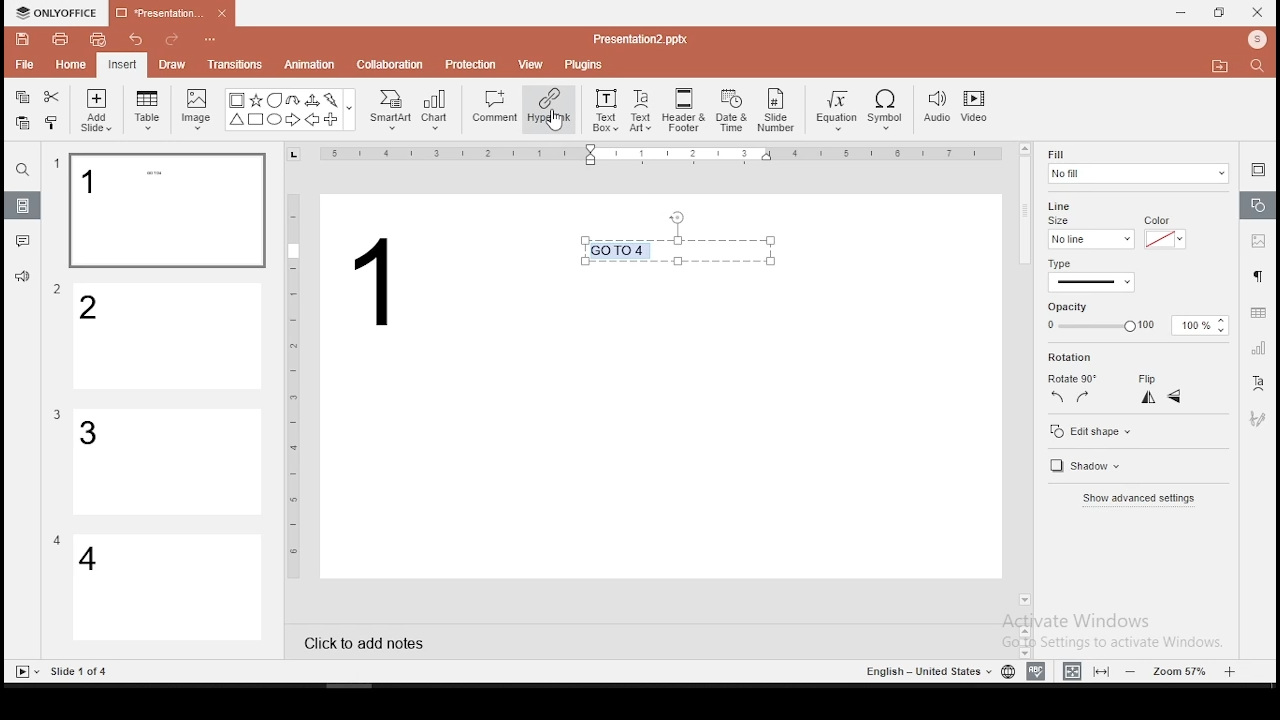 This screenshot has height=720, width=1280. What do you see at coordinates (23, 241) in the screenshot?
I see `comments` at bounding box center [23, 241].